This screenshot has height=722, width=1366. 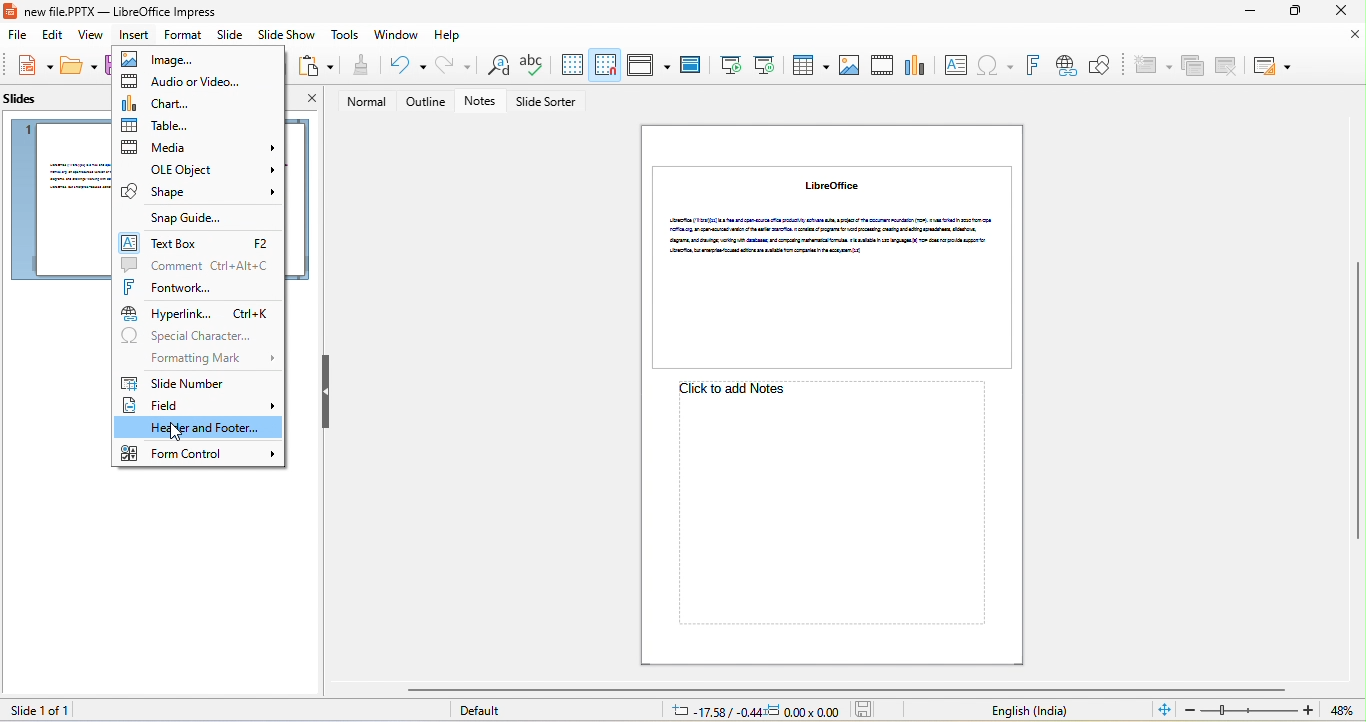 What do you see at coordinates (182, 435) in the screenshot?
I see `cursor movement` at bounding box center [182, 435].